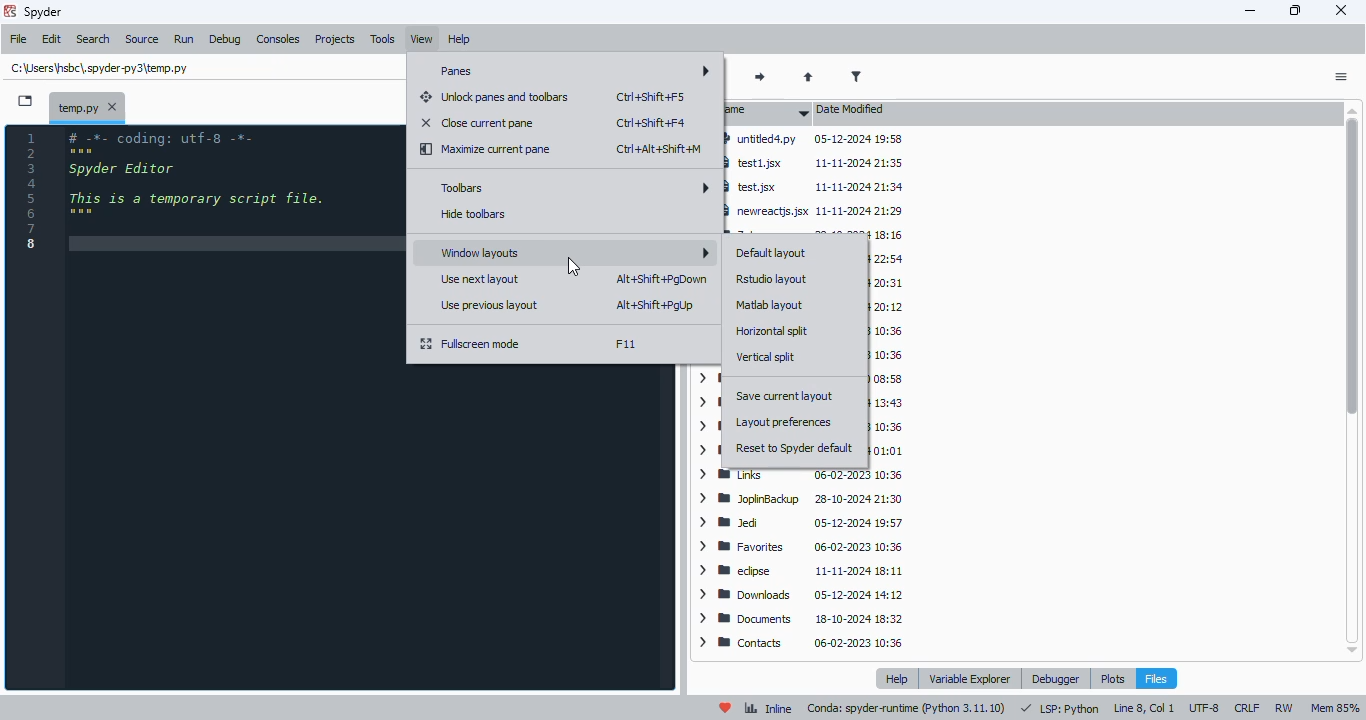 The width and height of the screenshot is (1366, 720). What do you see at coordinates (470, 345) in the screenshot?
I see `fullscreen mode` at bounding box center [470, 345].